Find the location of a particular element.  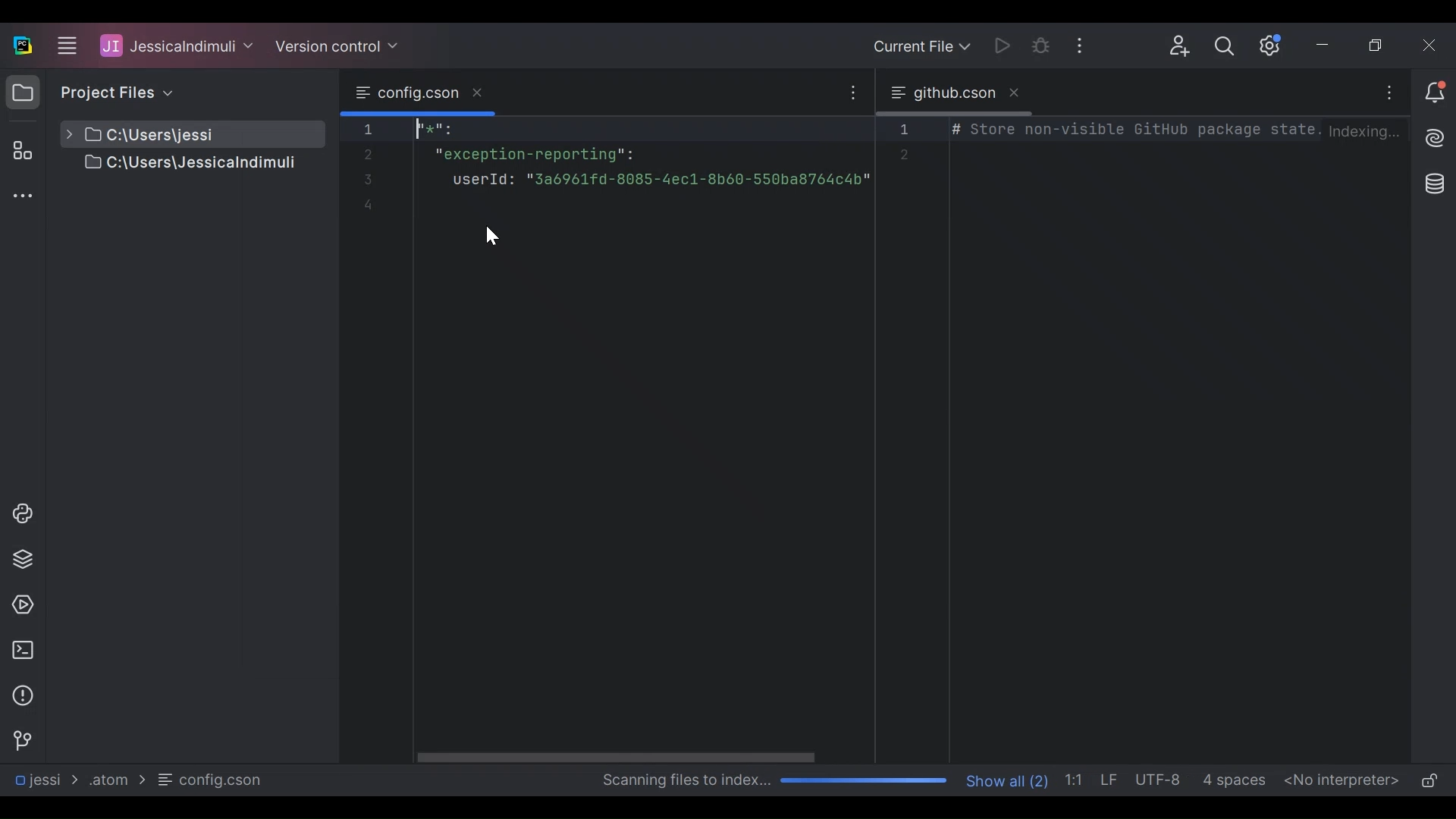

Project File Path is located at coordinates (45, 780).